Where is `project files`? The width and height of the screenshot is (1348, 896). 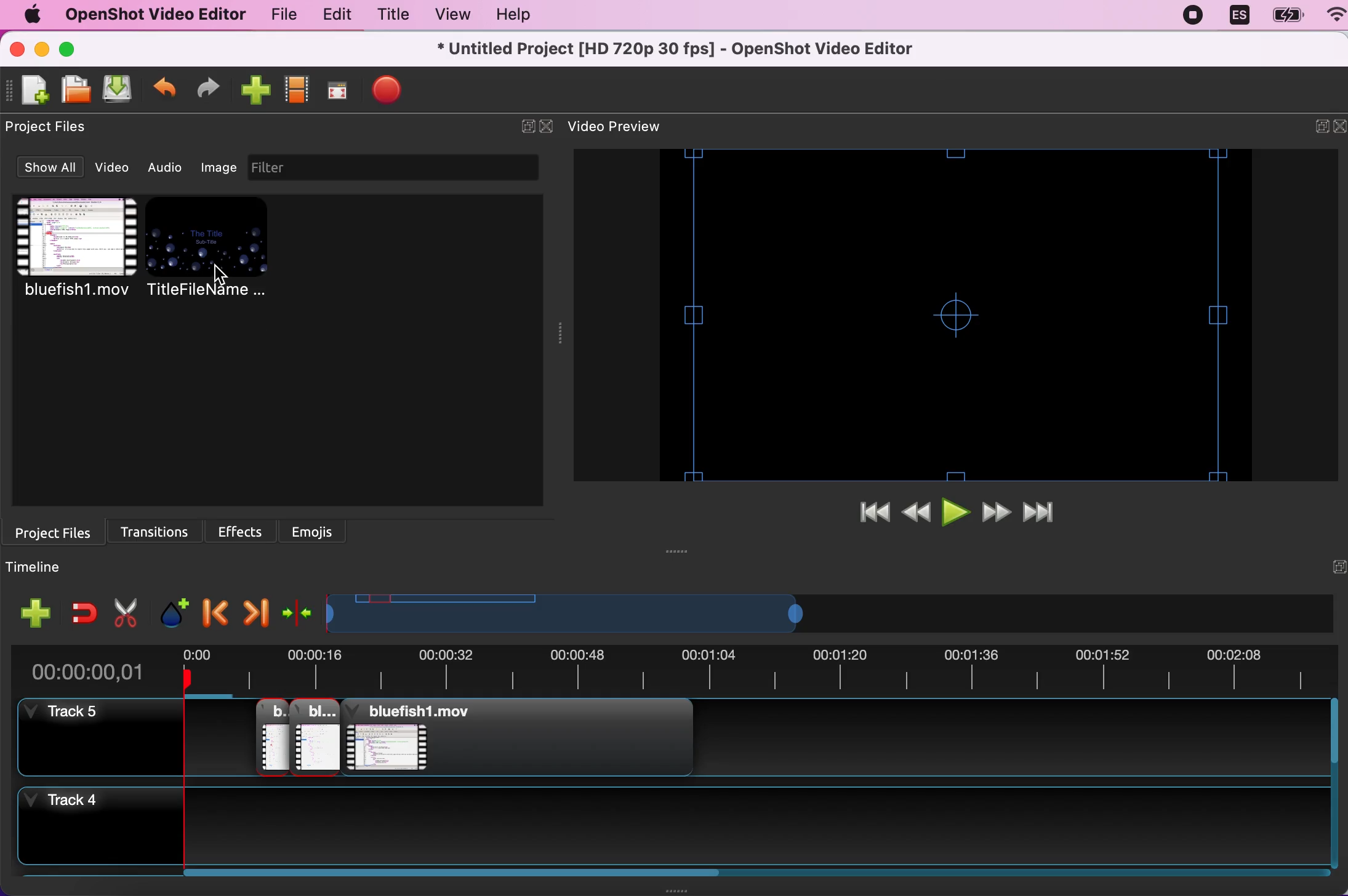 project files is located at coordinates (58, 531).